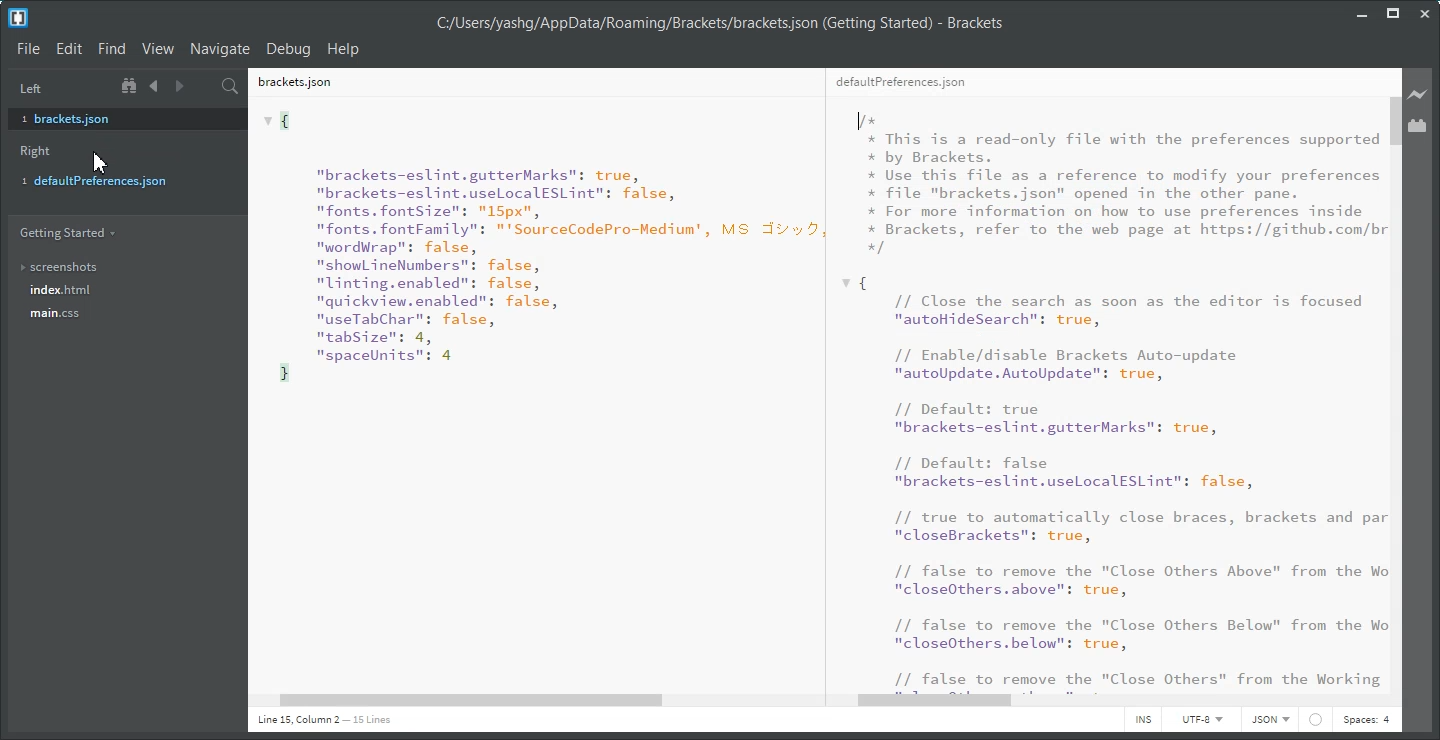  What do you see at coordinates (157, 49) in the screenshot?
I see `View` at bounding box center [157, 49].